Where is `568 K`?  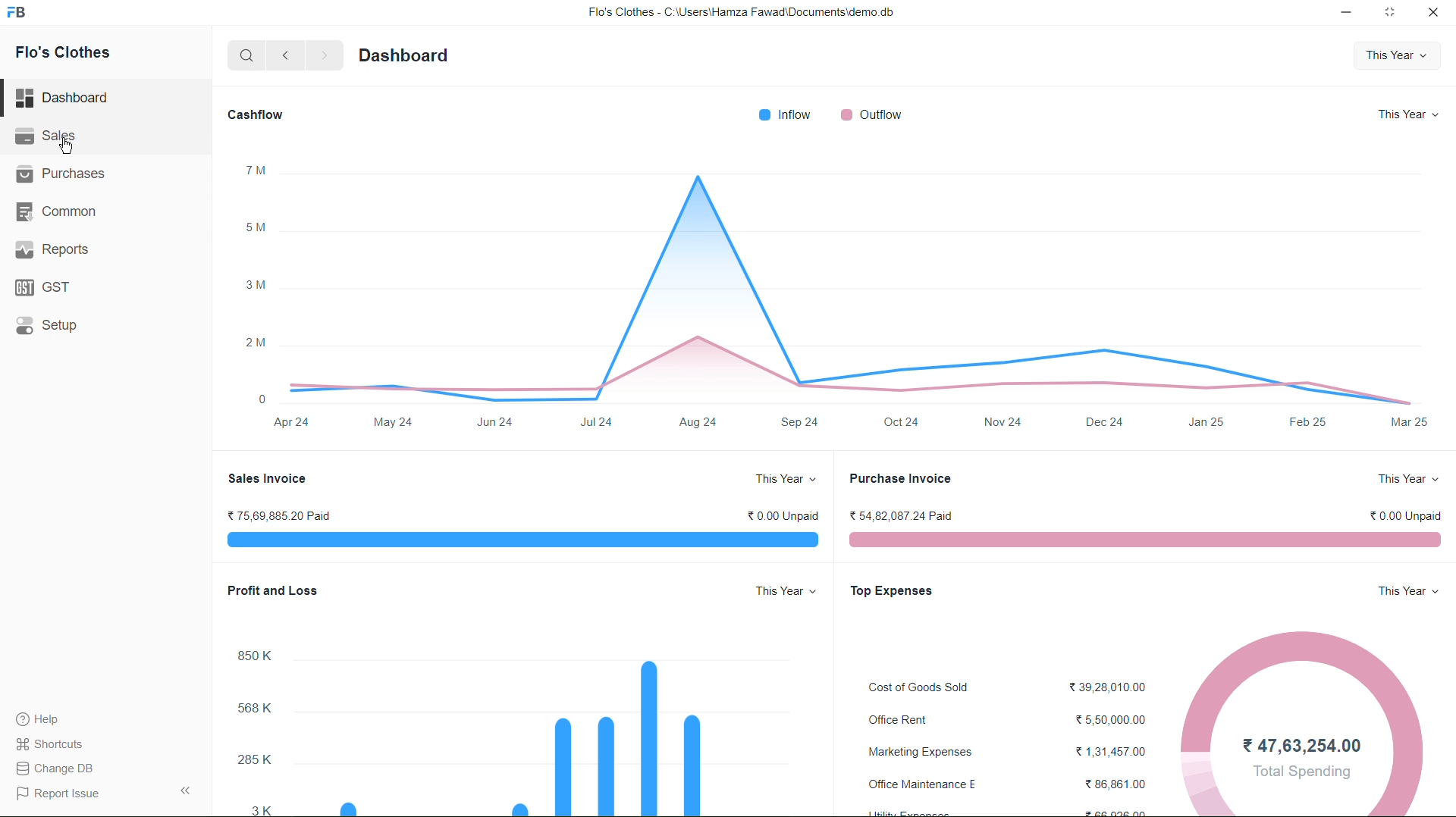
568 K is located at coordinates (238, 705).